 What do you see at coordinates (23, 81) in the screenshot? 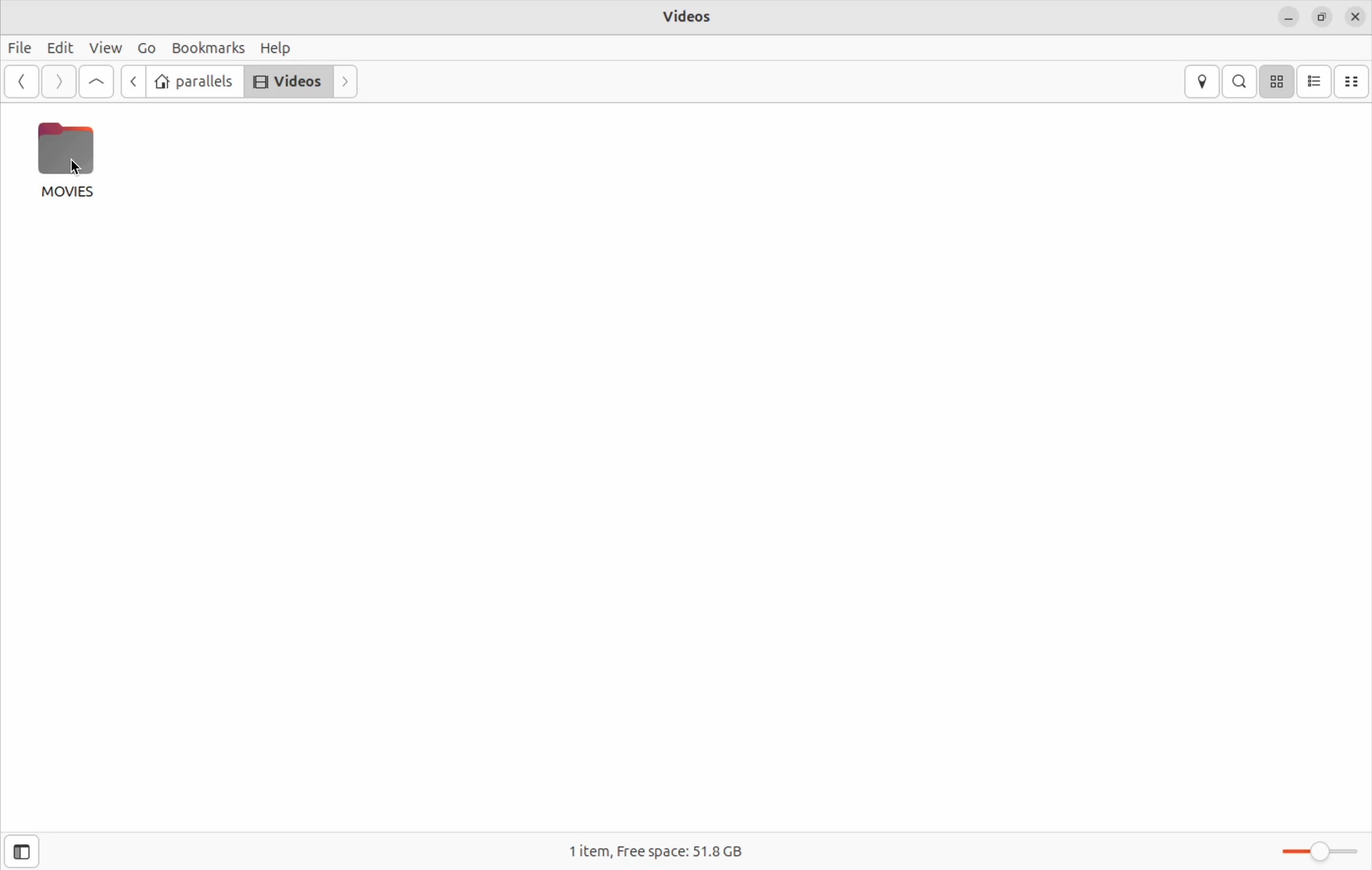
I see `back ` at bounding box center [23, 81].